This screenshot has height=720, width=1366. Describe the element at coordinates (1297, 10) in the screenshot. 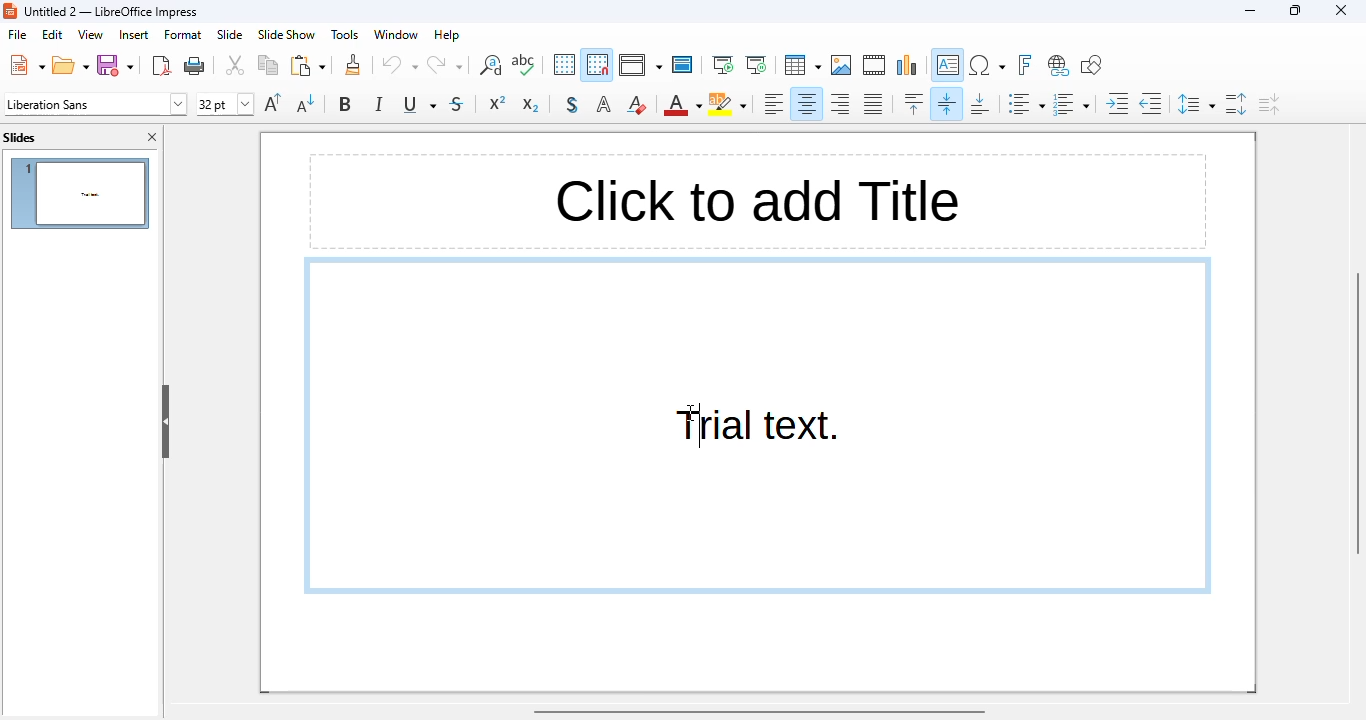

I see `maximize` at that location.